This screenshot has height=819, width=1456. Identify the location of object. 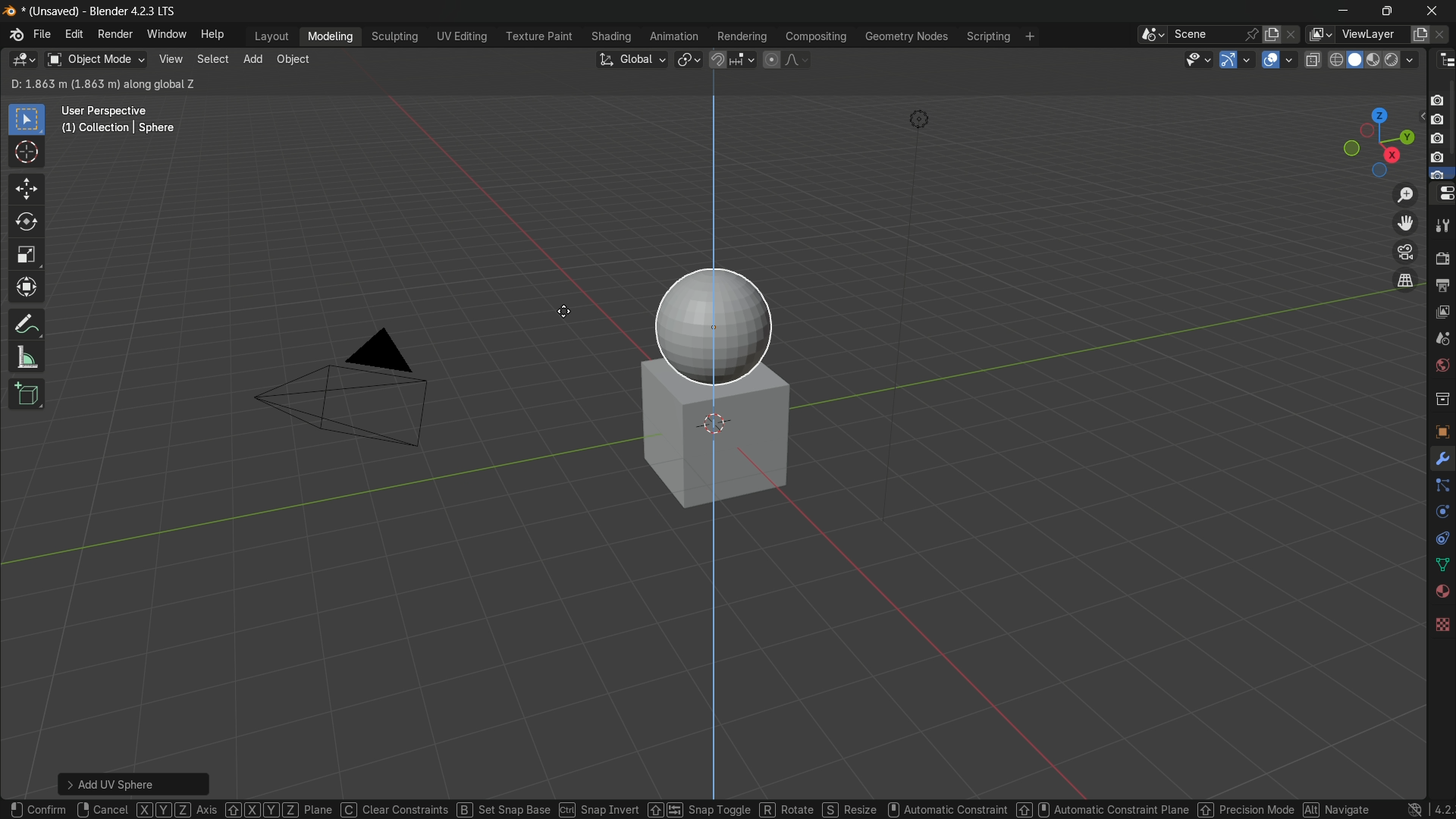
(293, 61).